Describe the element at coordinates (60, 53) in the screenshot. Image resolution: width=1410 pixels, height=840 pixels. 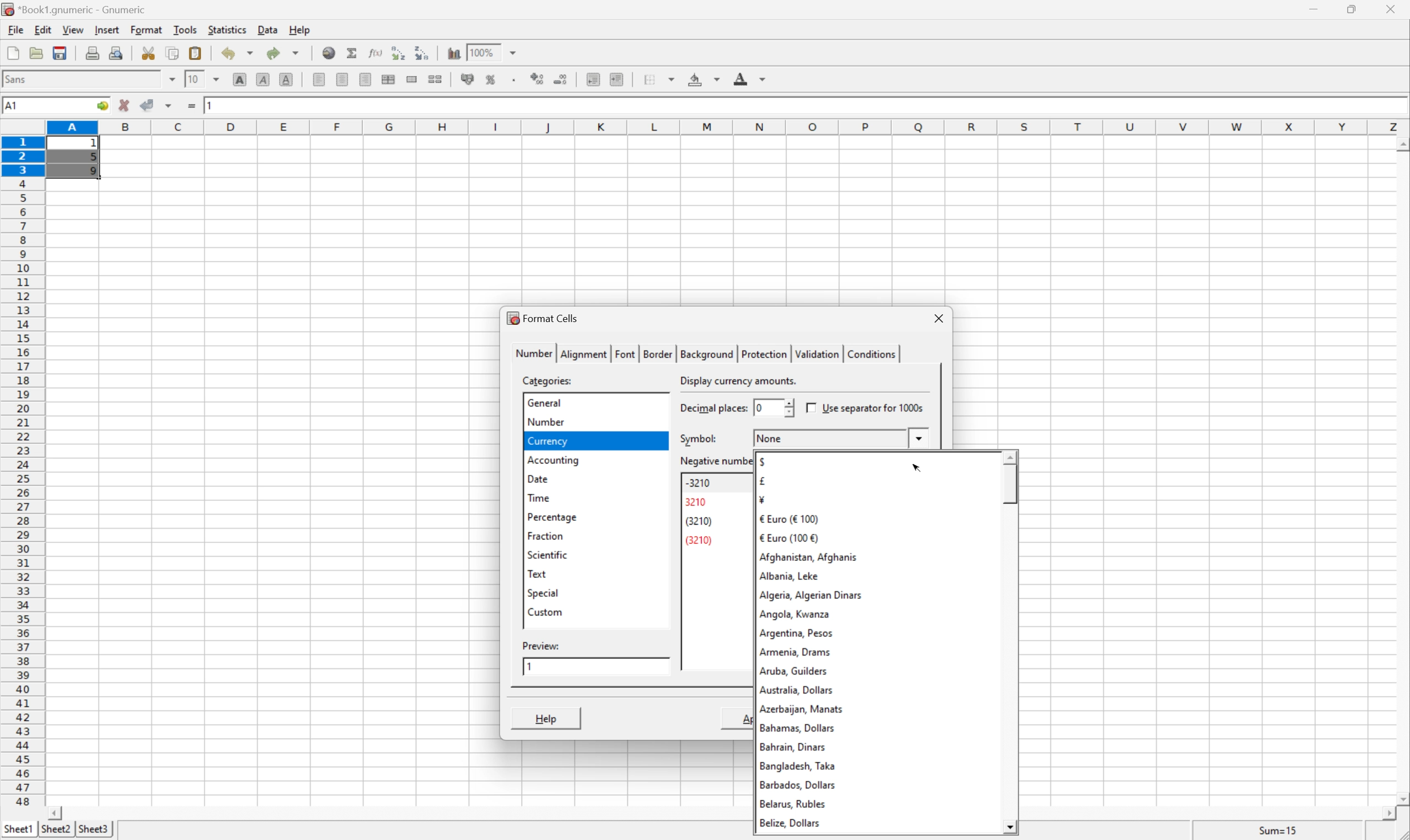
I see `save current workbook` at that location.